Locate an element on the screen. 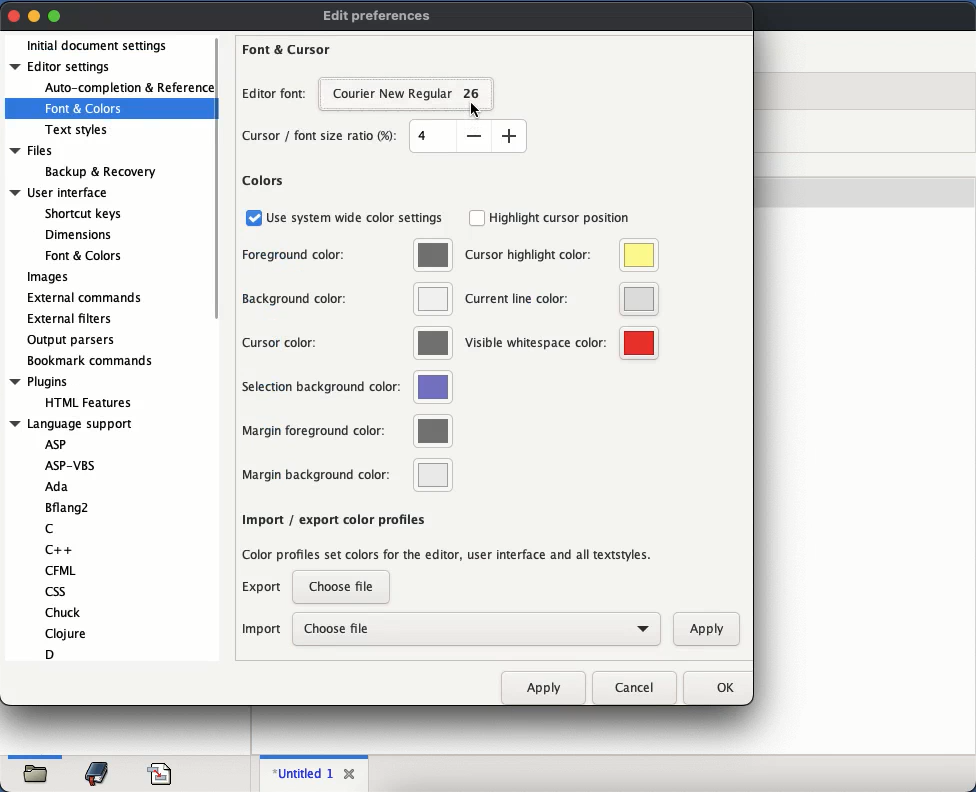 The image size is (976, 792). checkbox is located at coordinates (476, 217).